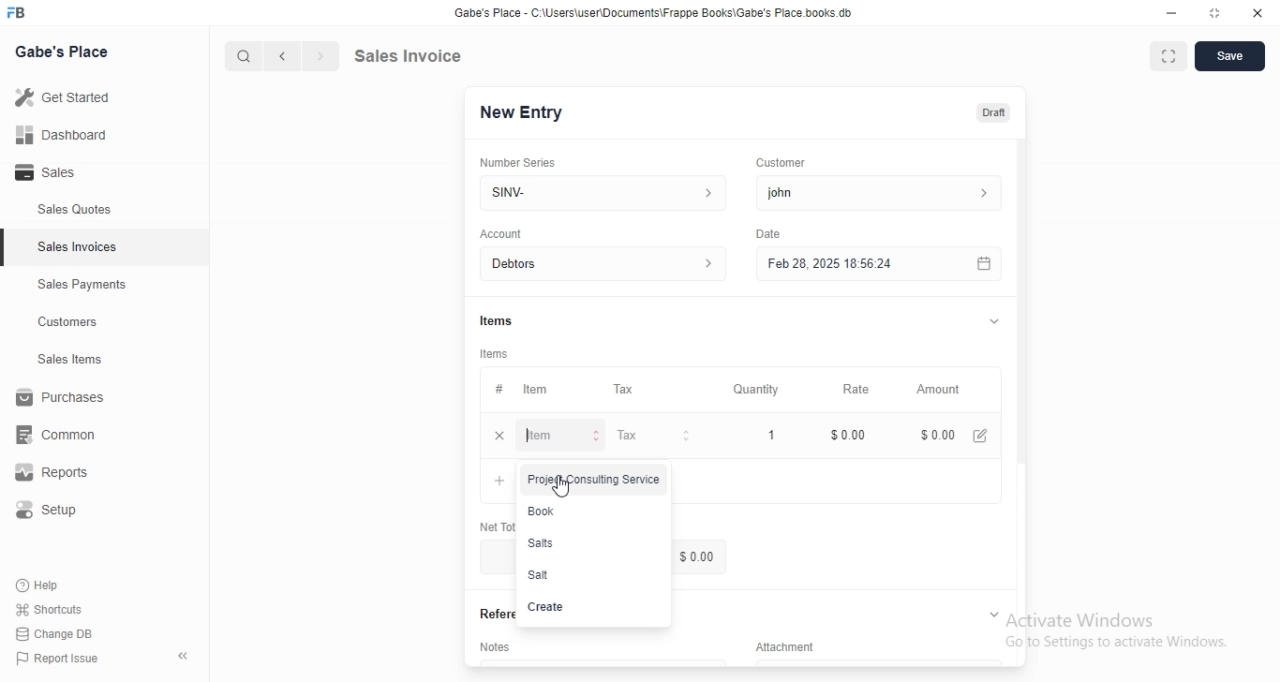  I want to click on FB logo, so click(20, 13).